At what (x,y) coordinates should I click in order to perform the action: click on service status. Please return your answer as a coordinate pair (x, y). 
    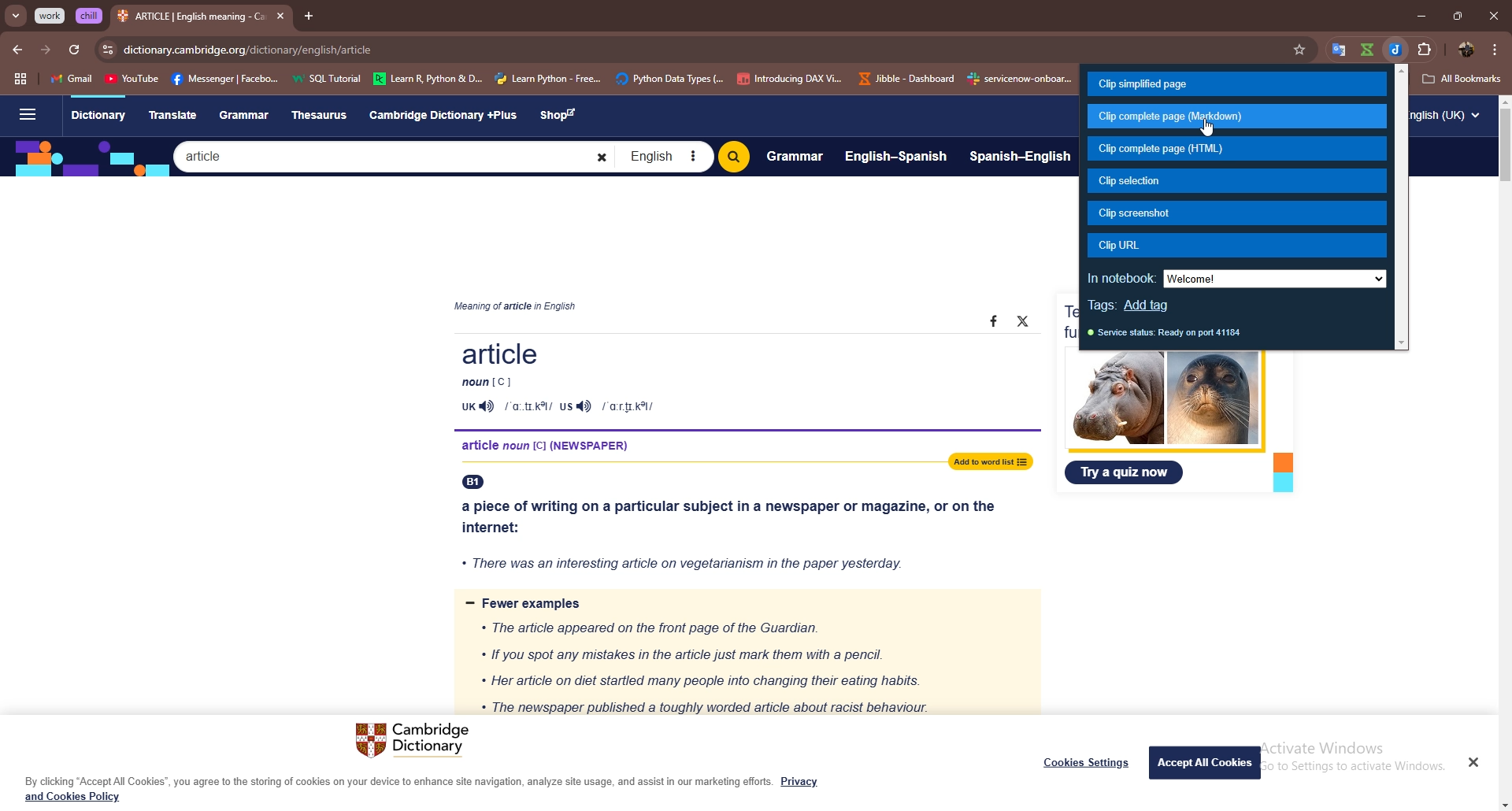
    Looking at the image, I should click on (1166, 334).